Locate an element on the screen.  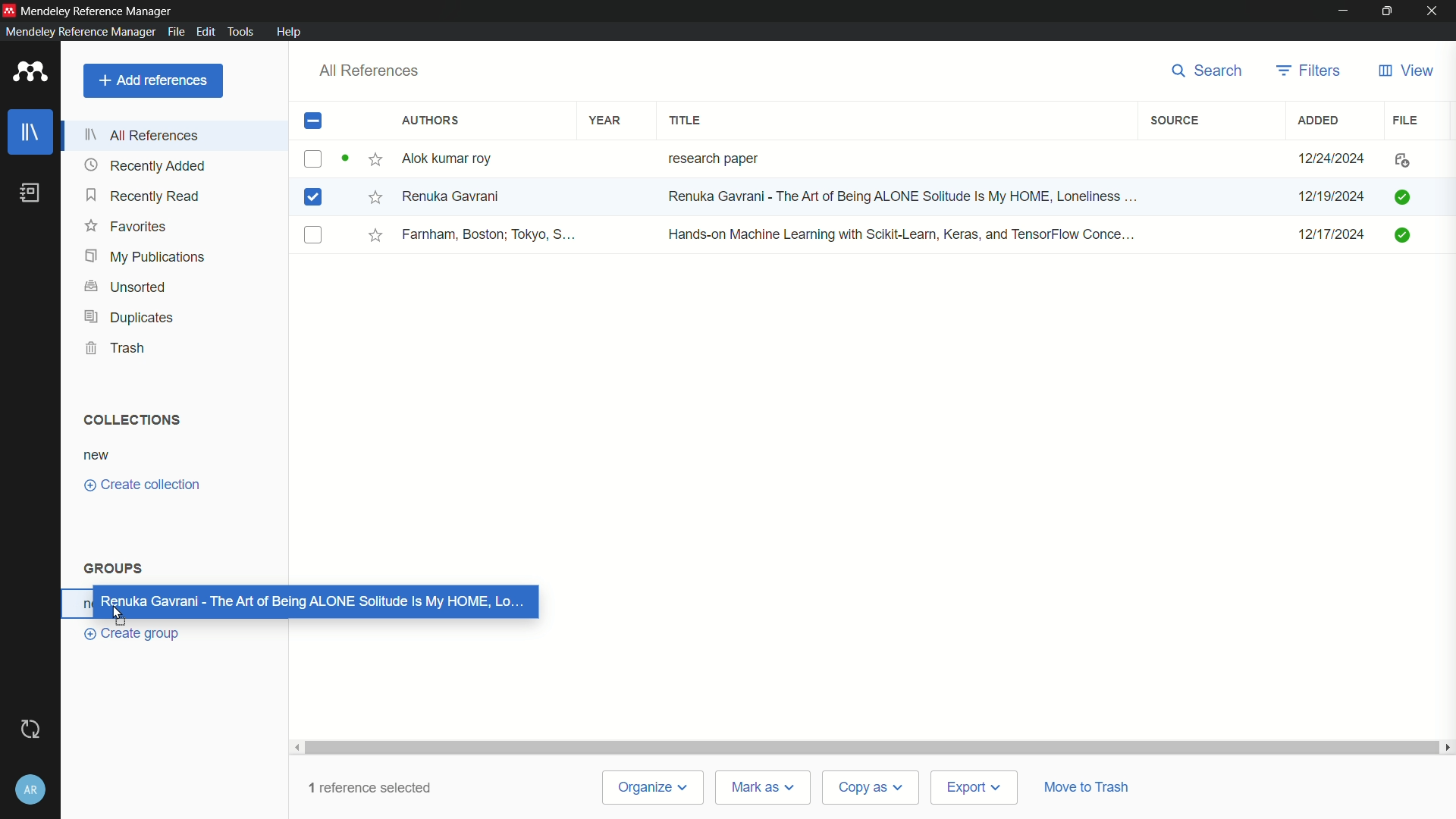
Alok Kumar Rou is located at coordinates (452, 160).